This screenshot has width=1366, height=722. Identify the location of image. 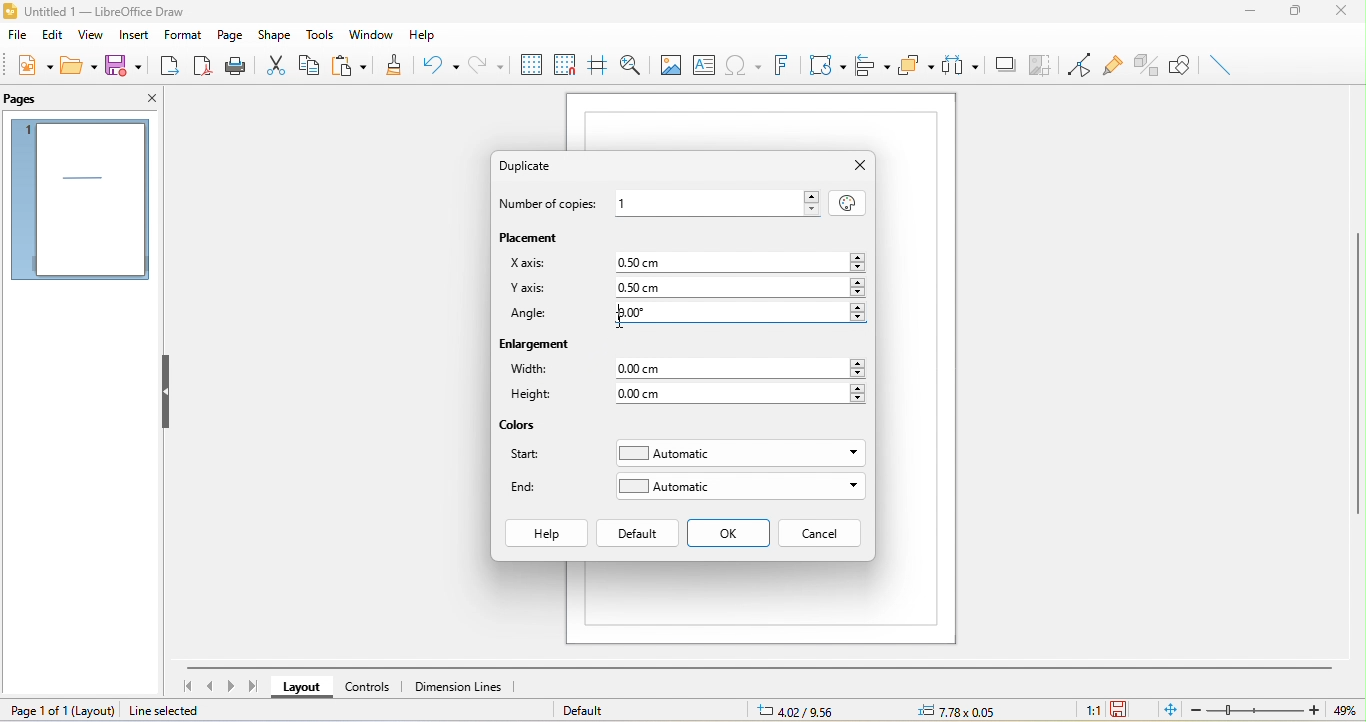
(669, 63).